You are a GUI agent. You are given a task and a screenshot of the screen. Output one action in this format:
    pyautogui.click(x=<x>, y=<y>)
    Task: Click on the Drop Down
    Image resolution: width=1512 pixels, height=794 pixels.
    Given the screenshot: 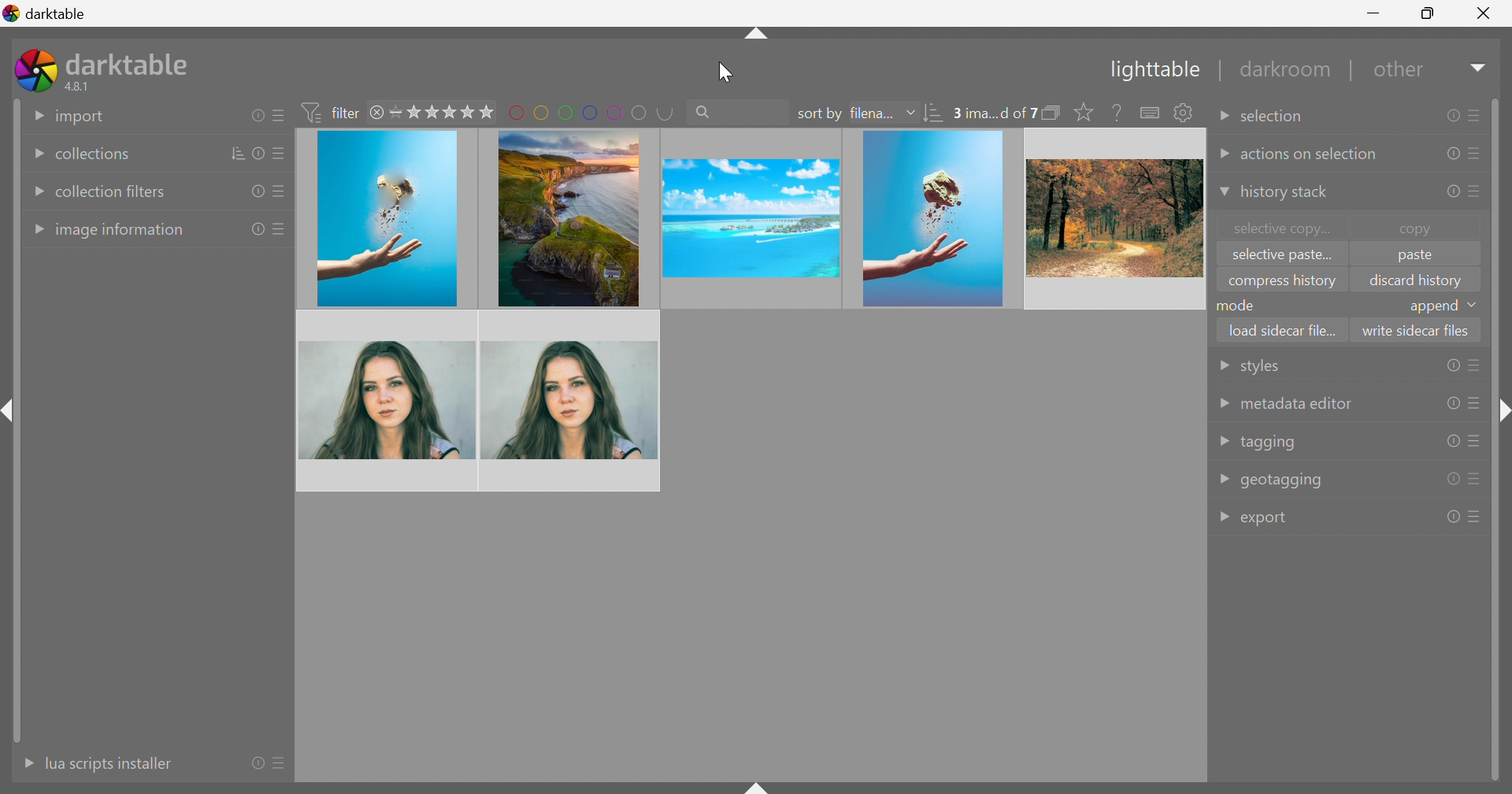 What is the action you would take?
    pyautogui.click(x=1222, y=403)
    